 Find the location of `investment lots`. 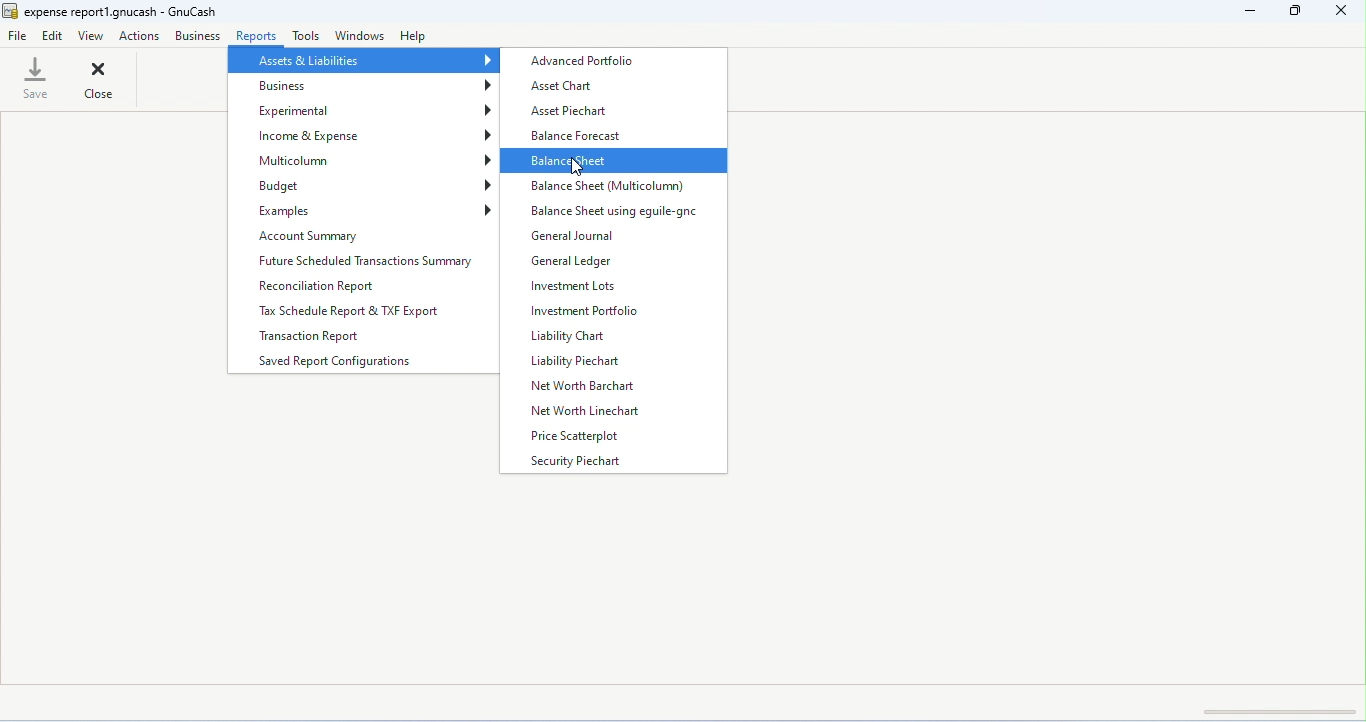

investment lots is located at coordinates (573, 286).